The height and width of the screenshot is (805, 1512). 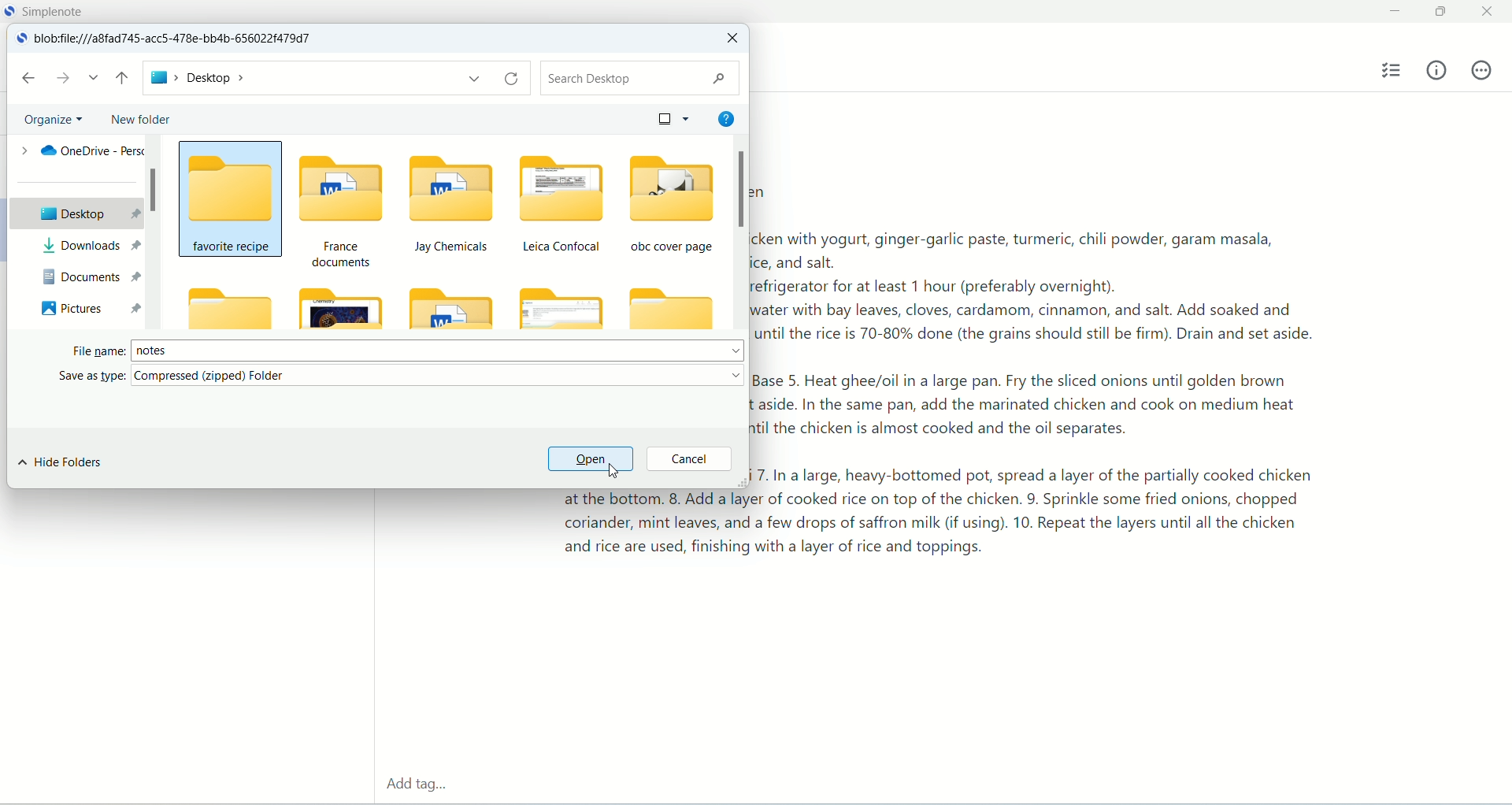 I want to click on desktop, so click(x=73, y=213).